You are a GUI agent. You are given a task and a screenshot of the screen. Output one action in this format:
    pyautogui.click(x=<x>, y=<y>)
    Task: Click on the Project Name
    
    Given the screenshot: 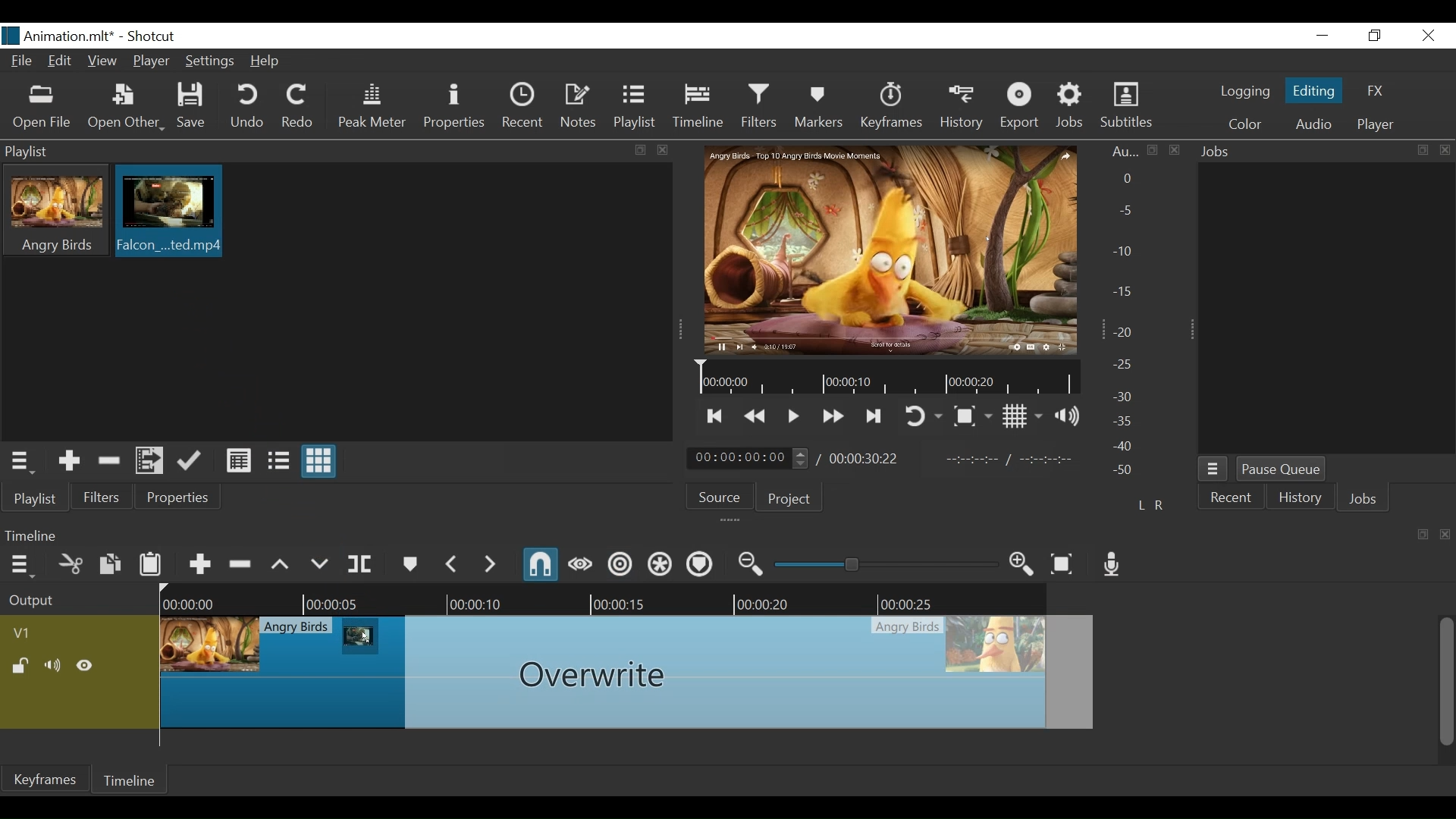 What is the action you would take?
    pyautogui.click(x=71, y=38)
    